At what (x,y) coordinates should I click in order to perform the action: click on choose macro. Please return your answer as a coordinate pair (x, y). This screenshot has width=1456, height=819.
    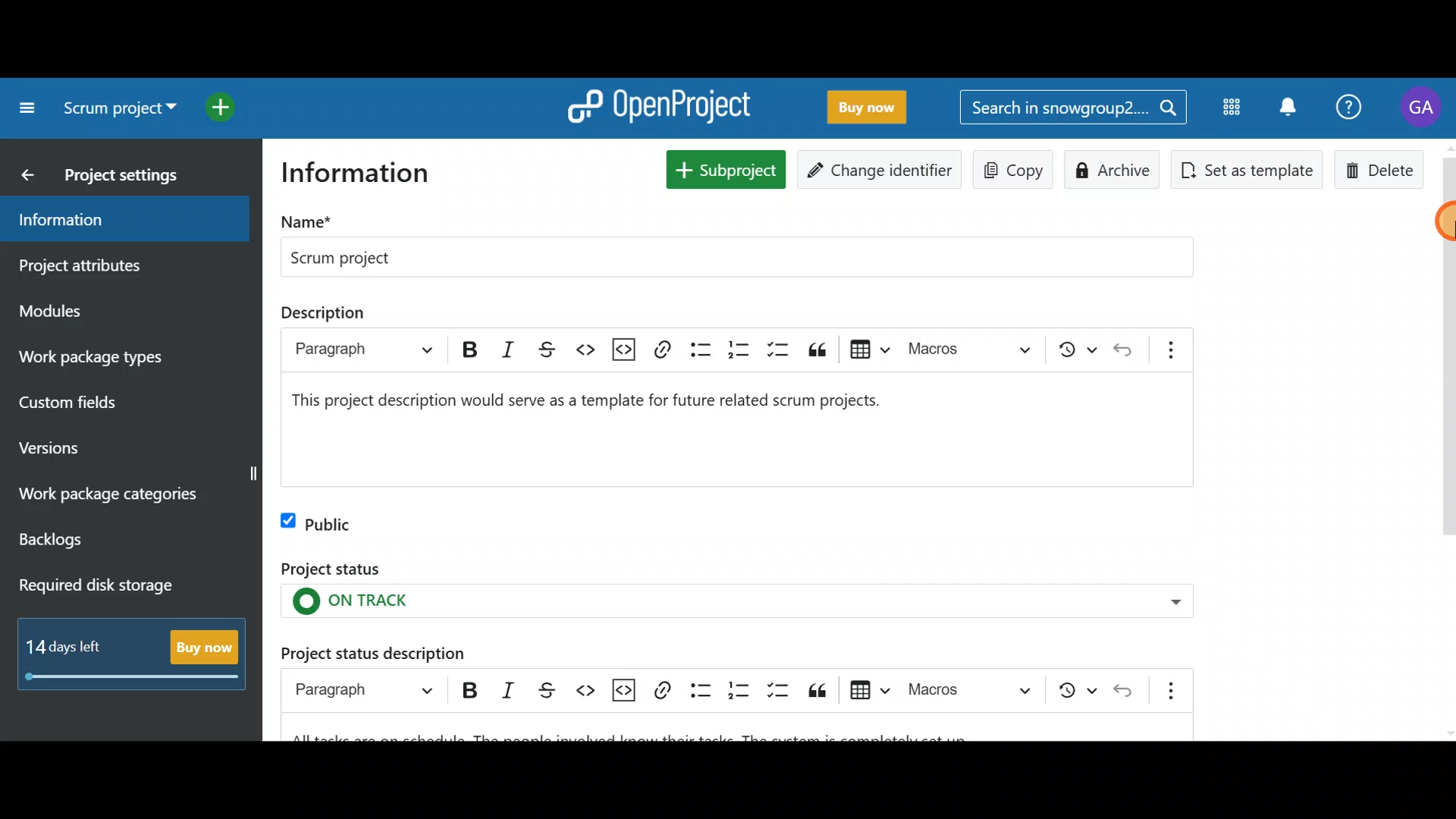
    Looking at the image, I should click on (971, 347).